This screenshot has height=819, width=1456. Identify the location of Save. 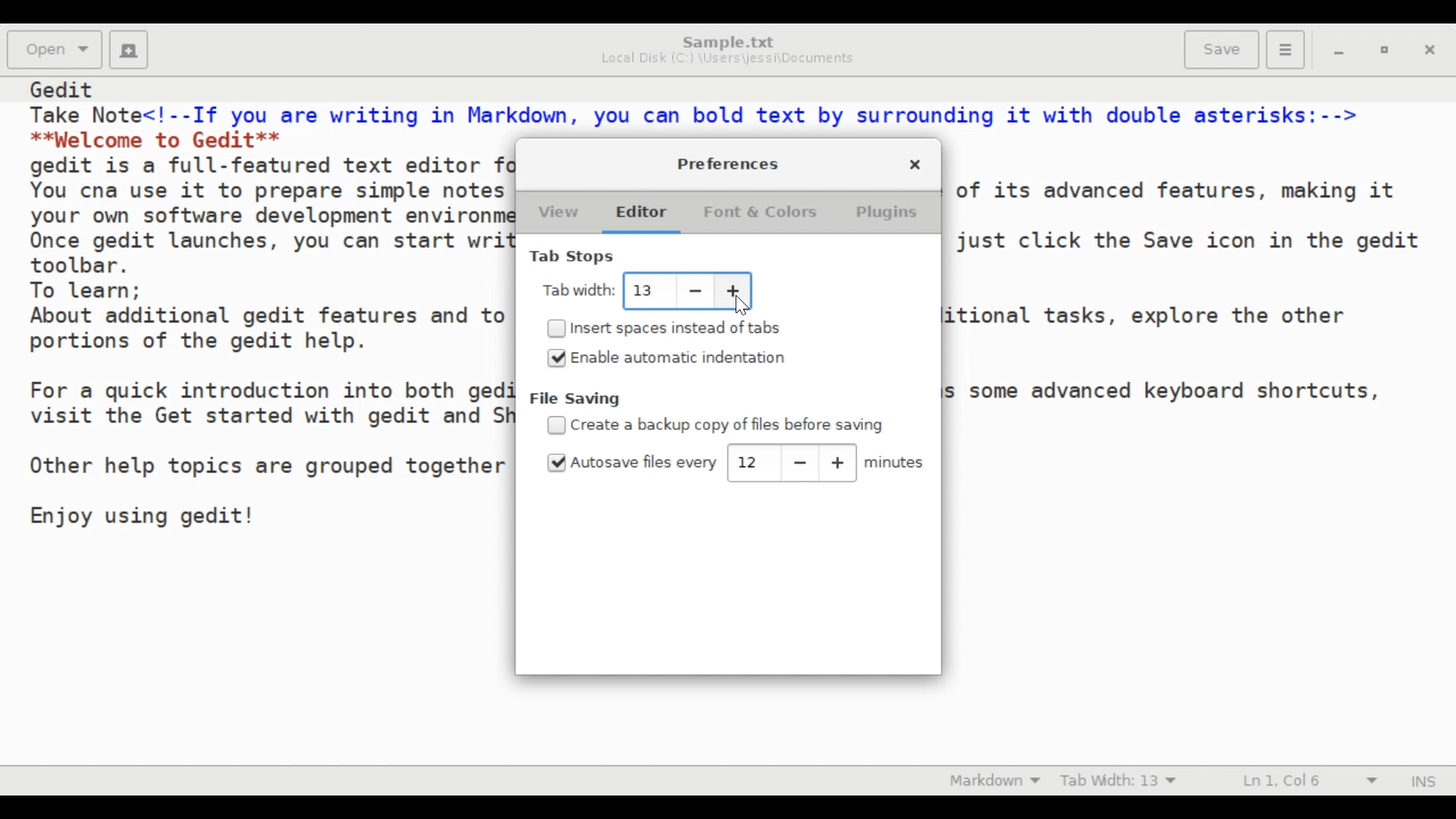
(1222, 50).